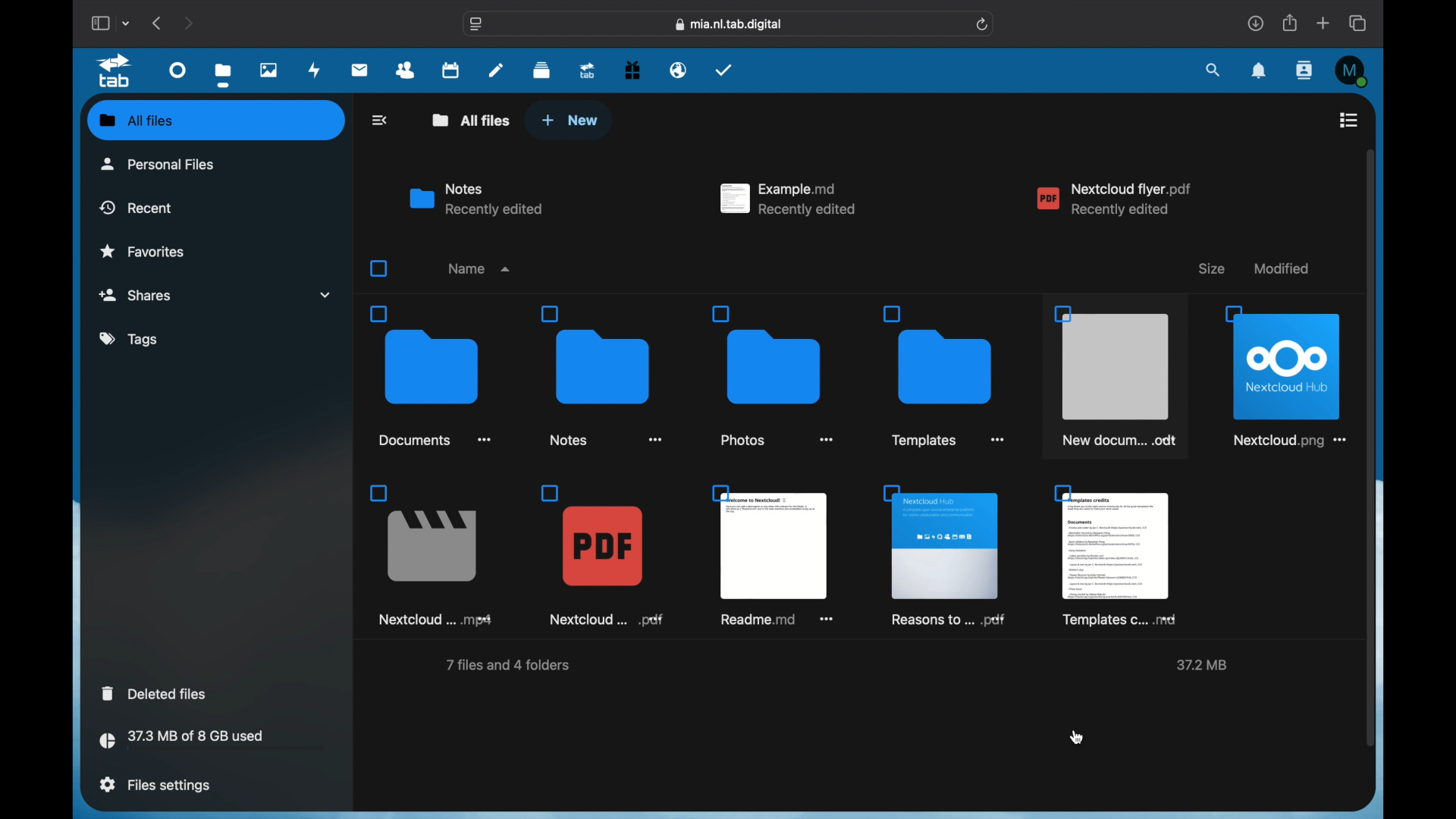 The width and height of the screenshot is (1456, 819). What do you see at coordinates (1359, 23) in the screenshot?
I see `show tab overview` at bounding box center [1359, 23].